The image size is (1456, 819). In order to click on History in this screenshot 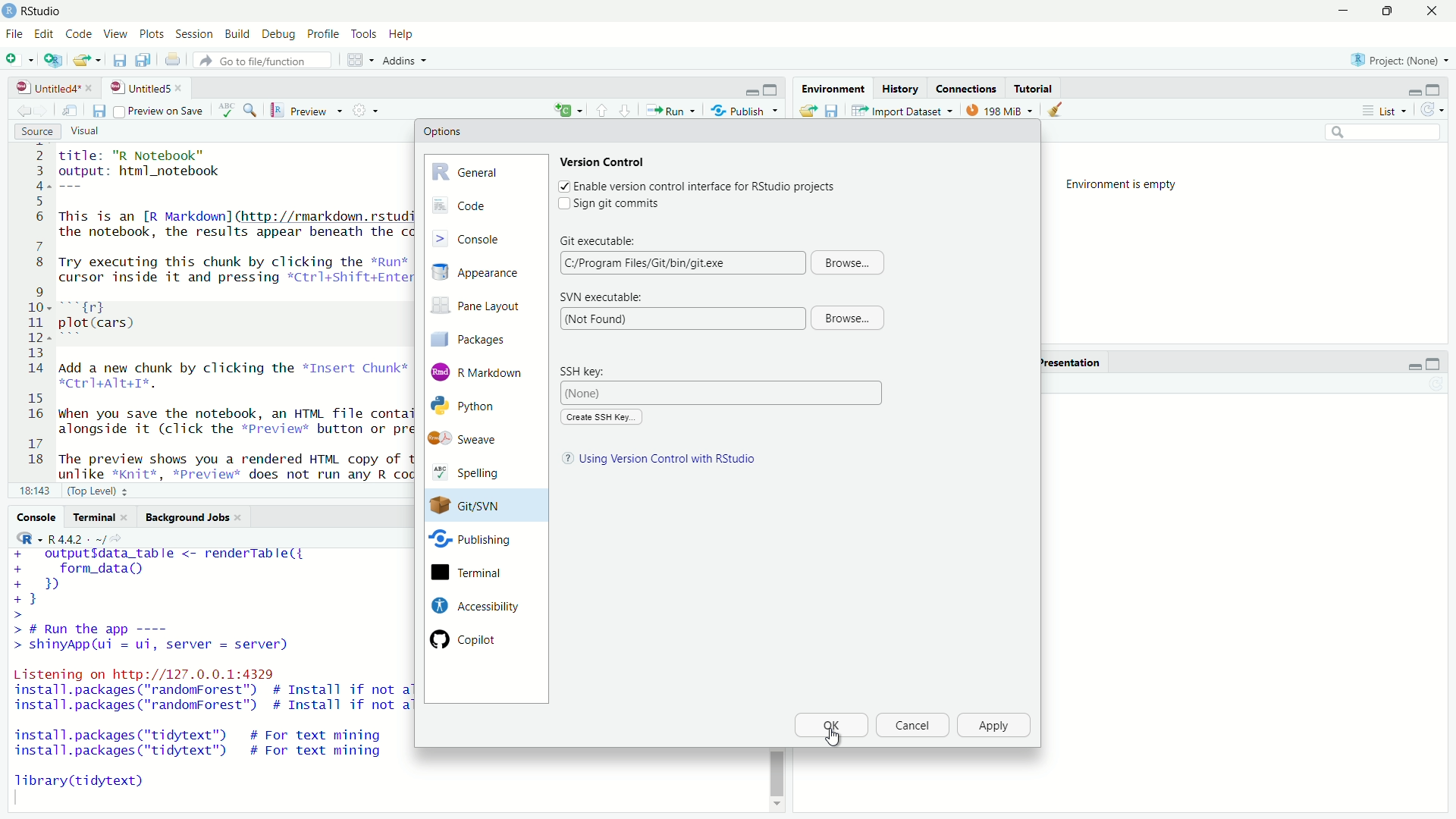, I will do `click(899, 88)`.